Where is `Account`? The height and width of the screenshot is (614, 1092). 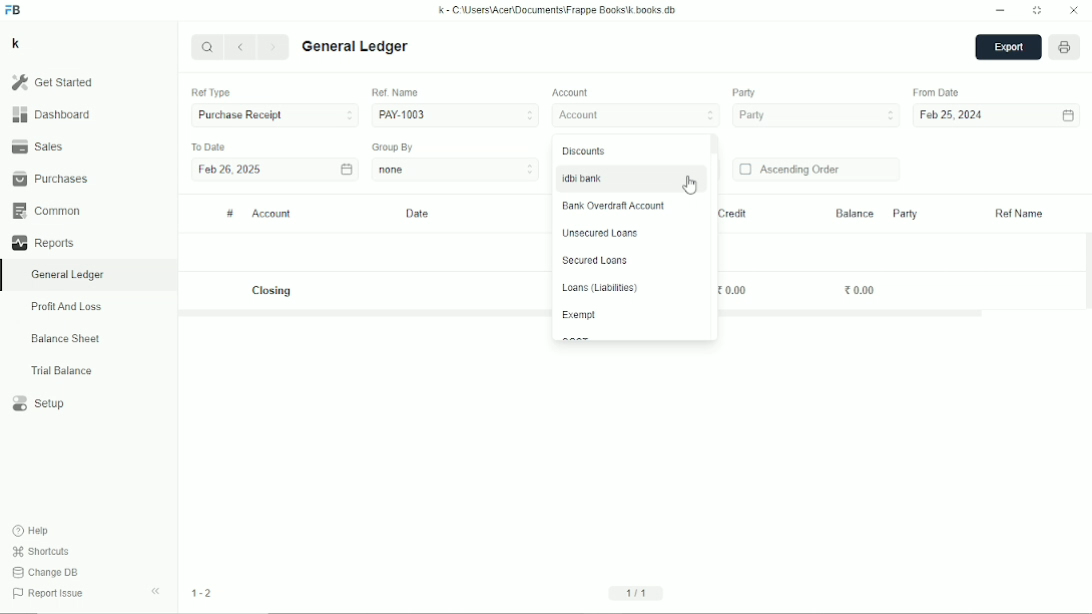
Account is located at coordinates (272, 214).